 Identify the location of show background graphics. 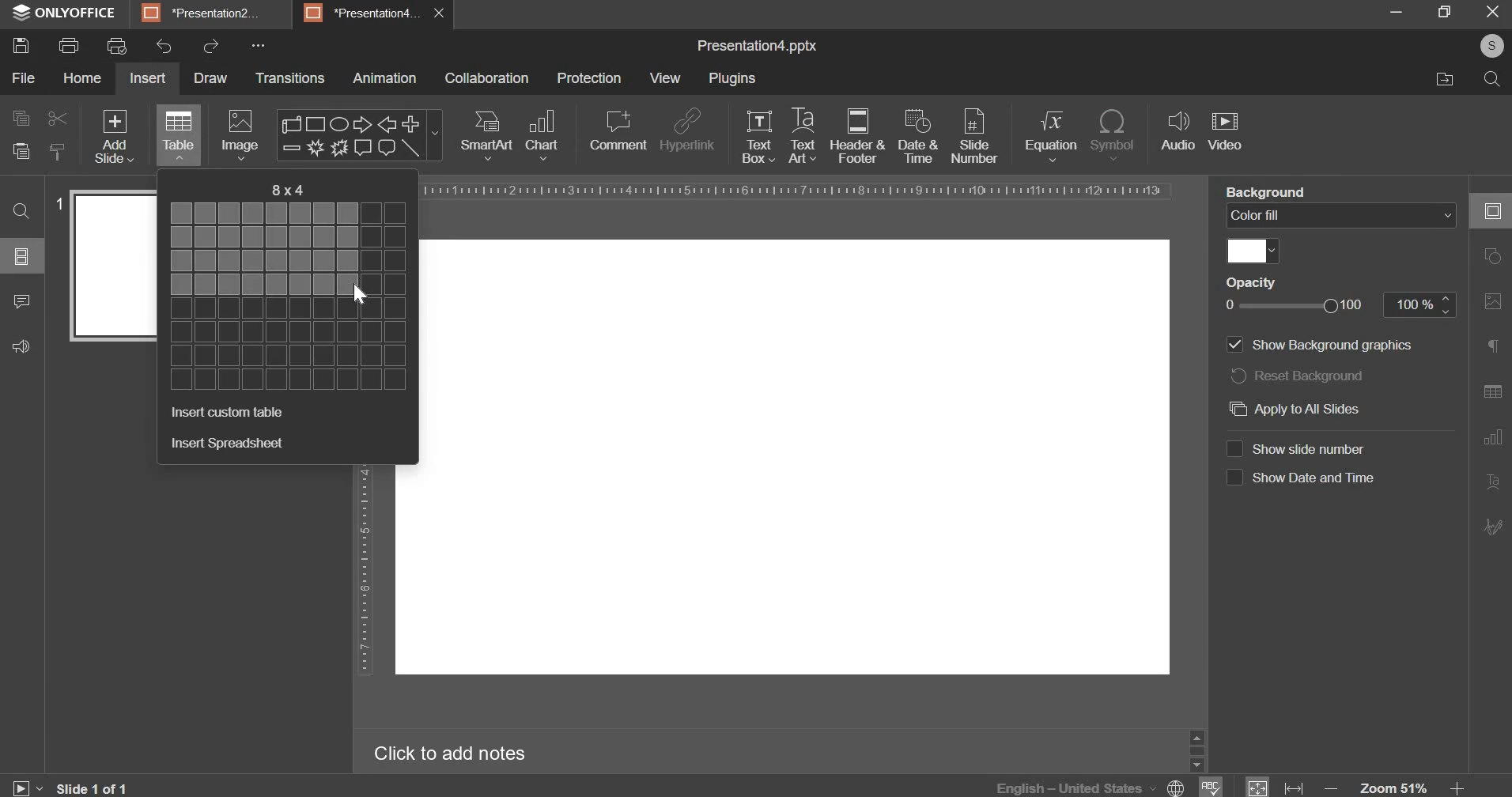
(1324, 345).